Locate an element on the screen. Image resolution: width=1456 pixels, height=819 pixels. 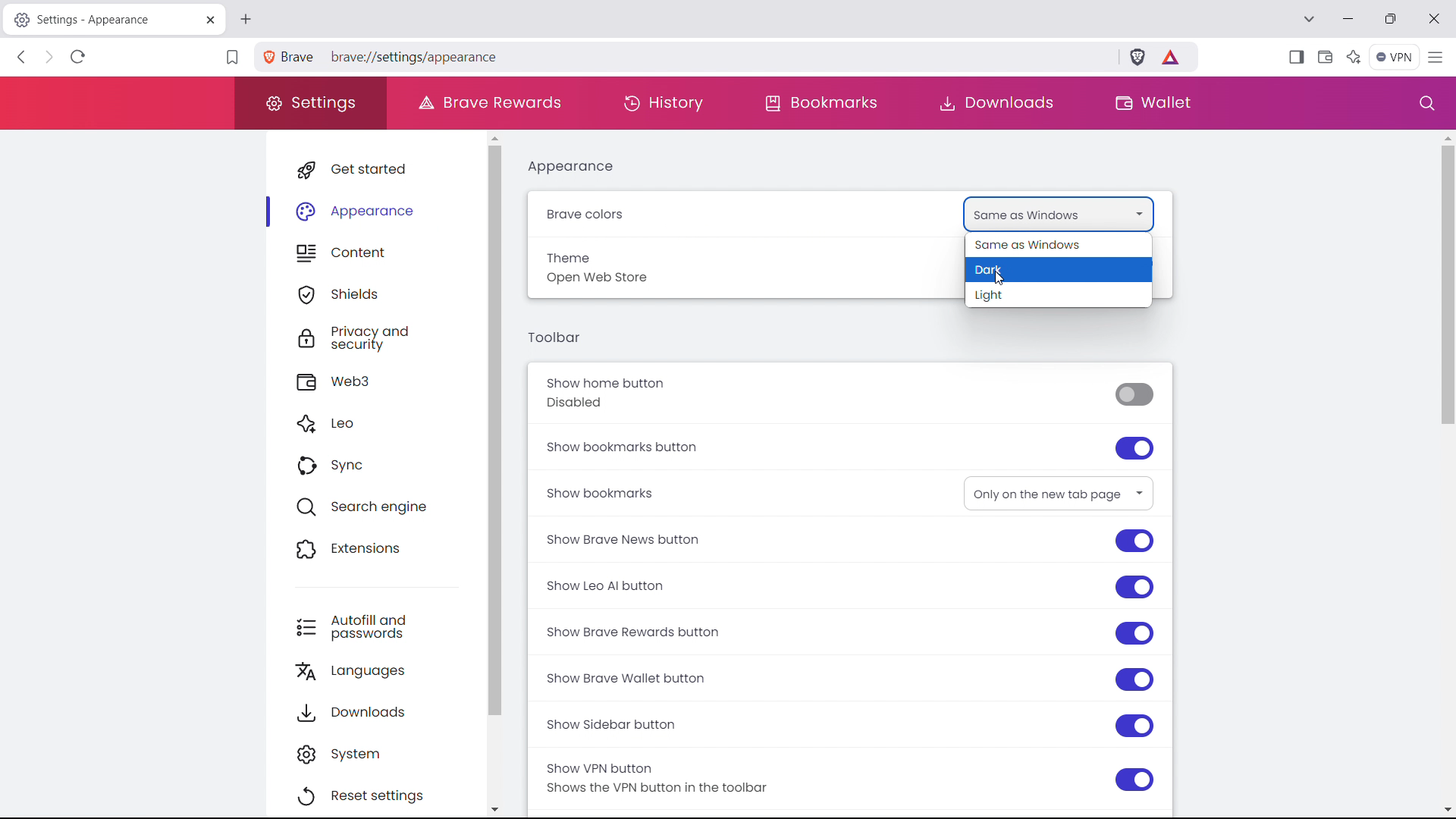
brave shield is located at coordinates (1137, 58).